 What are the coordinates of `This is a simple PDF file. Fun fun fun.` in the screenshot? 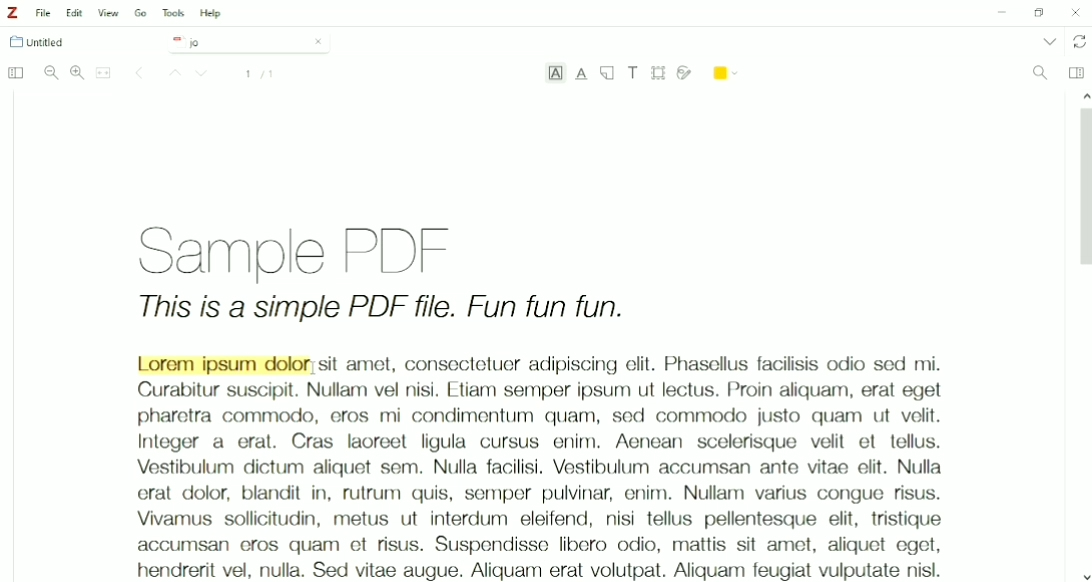 It's located at (382, 310).